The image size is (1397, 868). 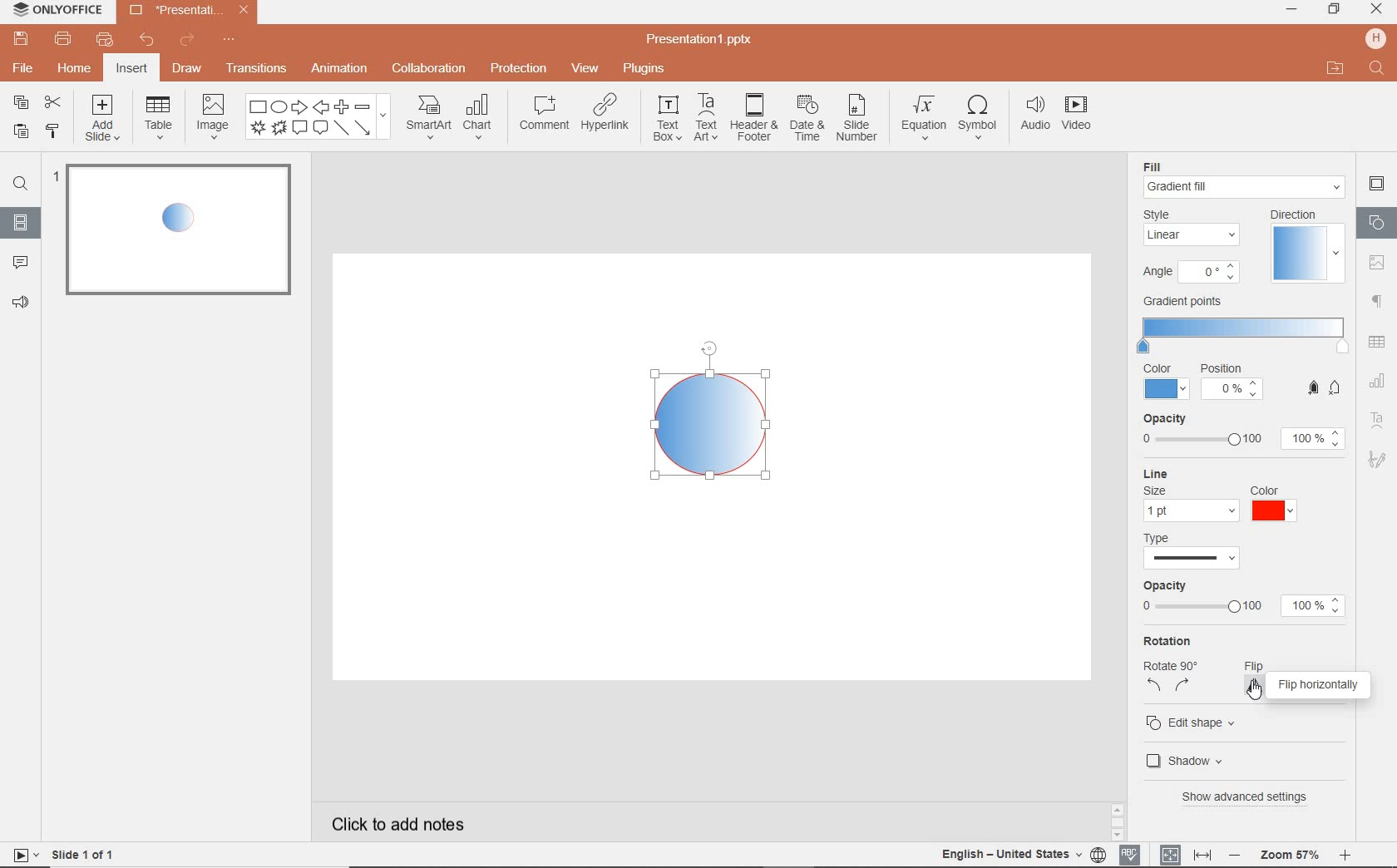 What do you see at coordinates (1249, 796) in the screenshot?
I see `SHOW ADVANCED SETTINGS` at bounding box center [1249, 796].